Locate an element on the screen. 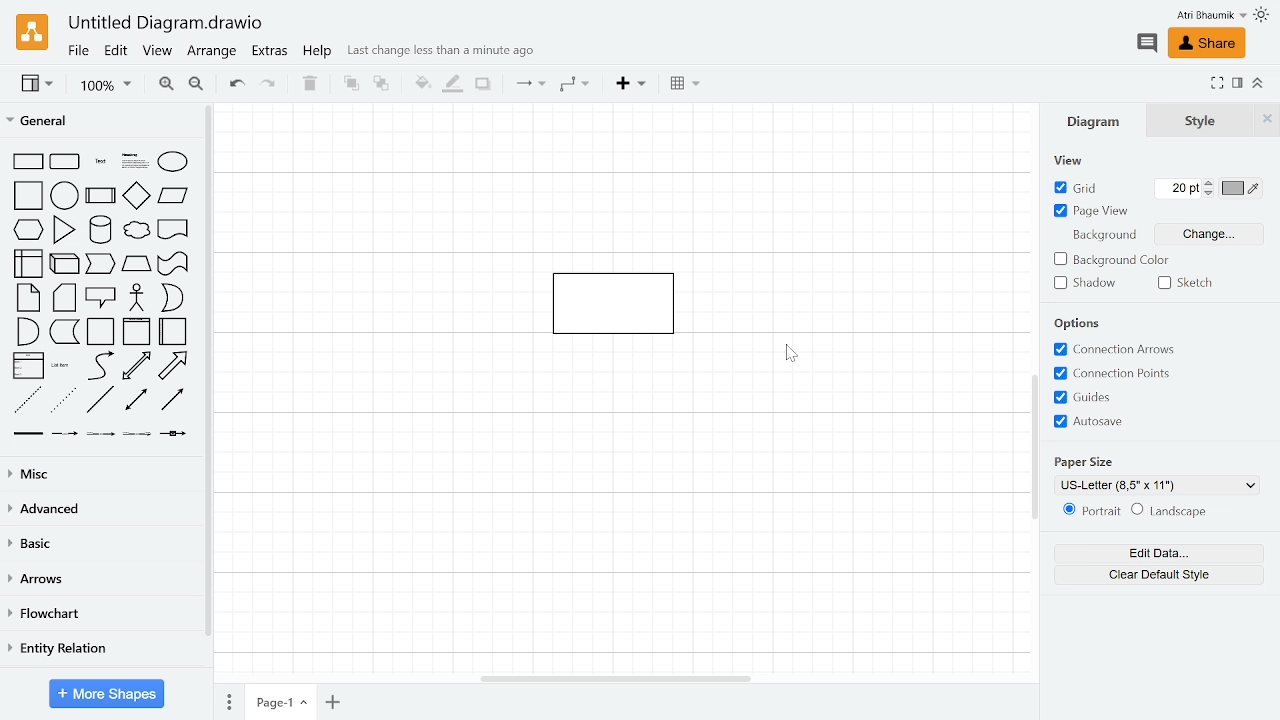  Extras is located at coordinates (270, 52).